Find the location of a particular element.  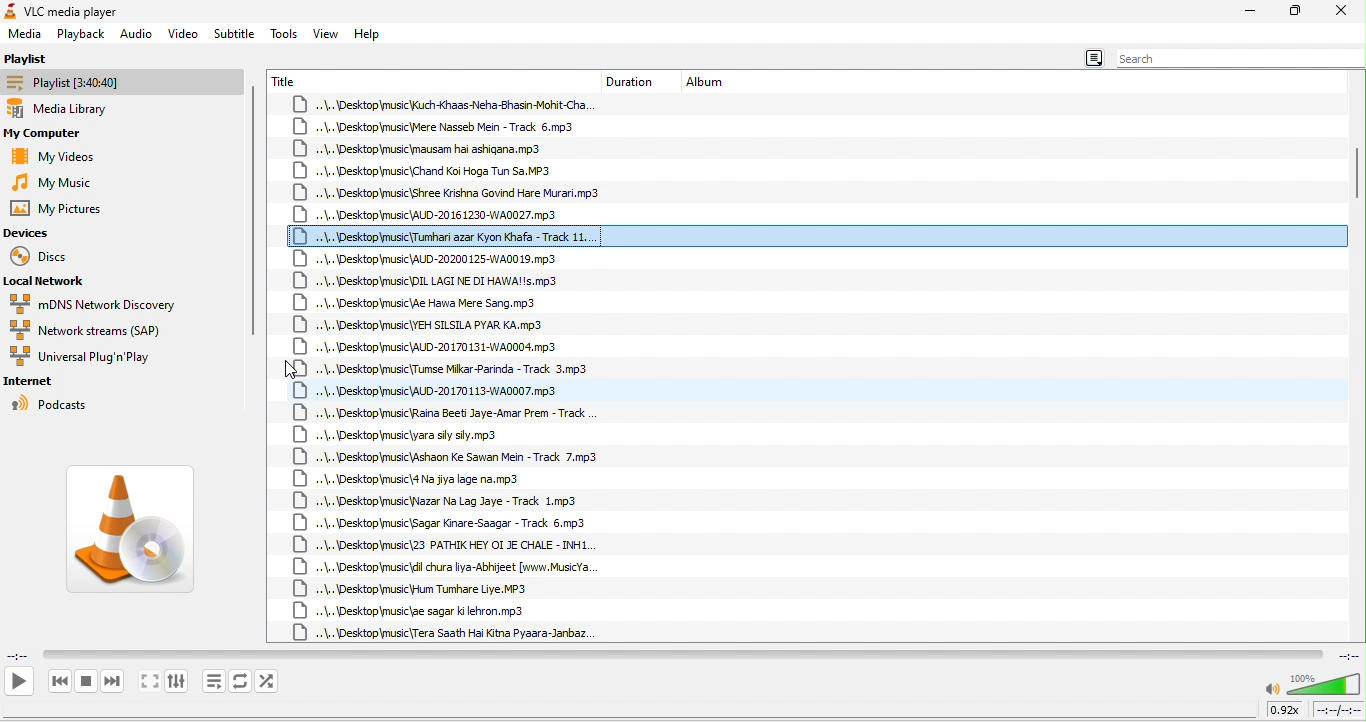

toggle between loop all is located at coordinates (241, 681).